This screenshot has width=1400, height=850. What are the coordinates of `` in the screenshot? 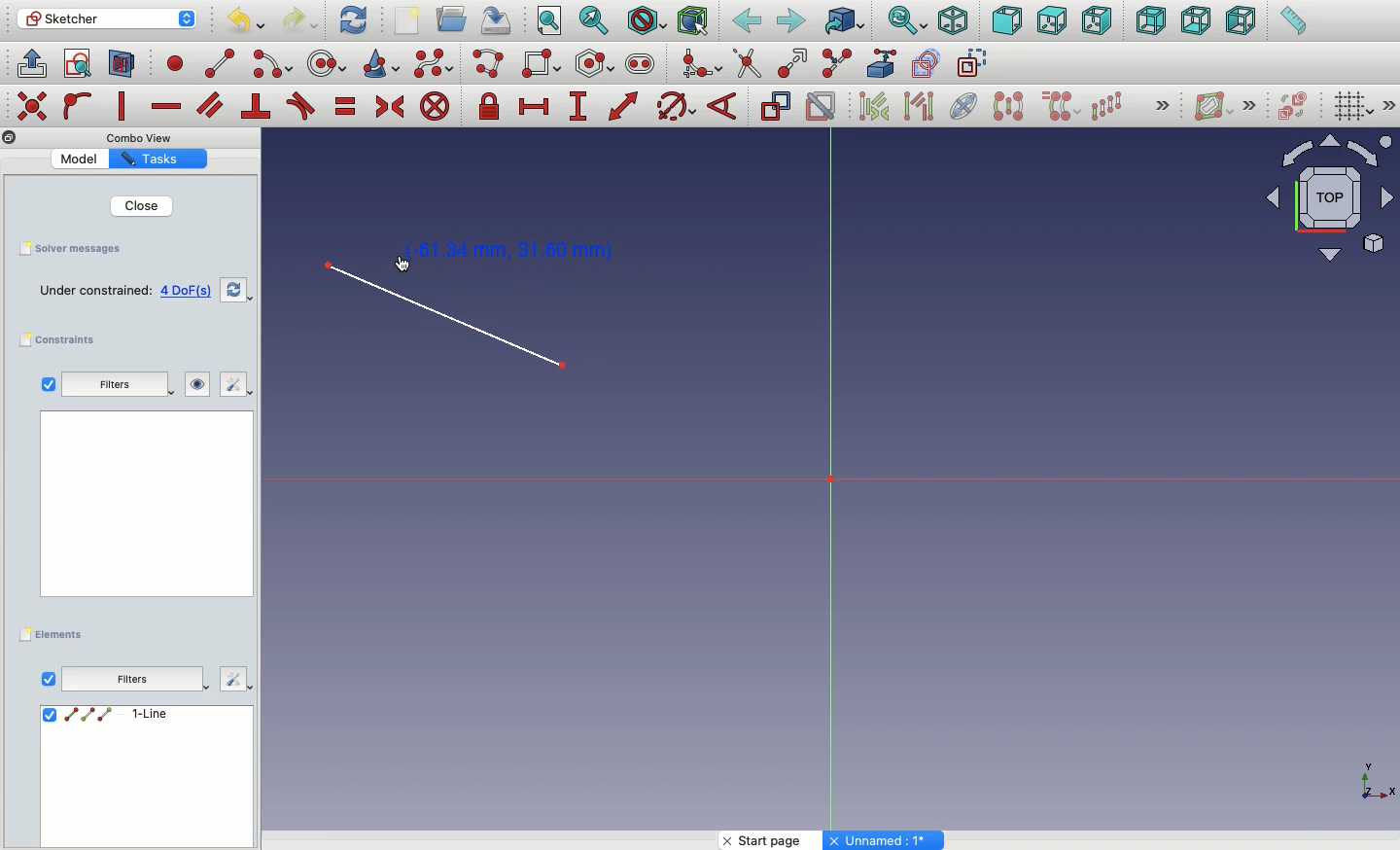 It's located at (1159, 104).